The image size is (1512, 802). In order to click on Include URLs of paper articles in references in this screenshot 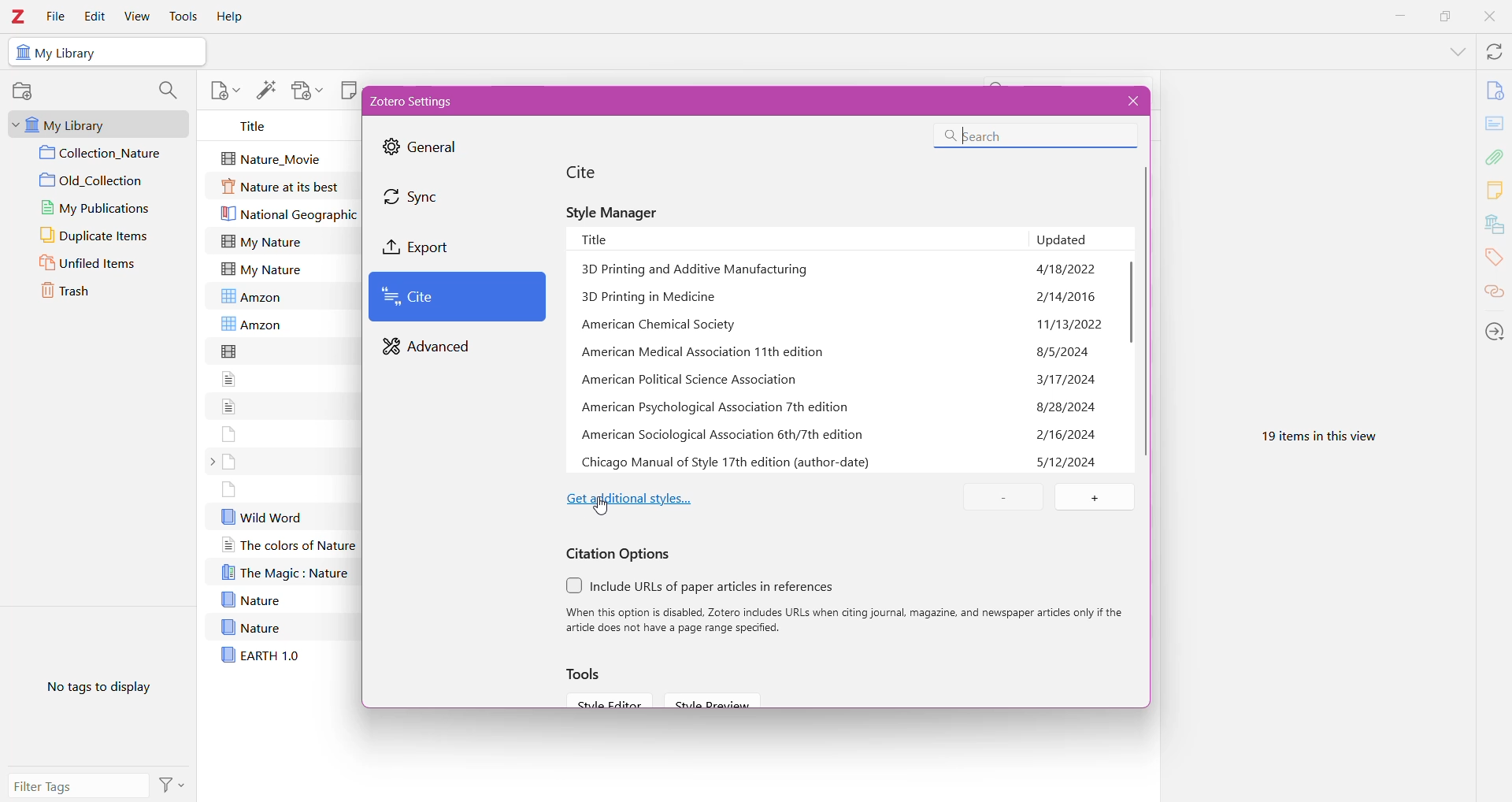, I will do `click(717, 587)`.